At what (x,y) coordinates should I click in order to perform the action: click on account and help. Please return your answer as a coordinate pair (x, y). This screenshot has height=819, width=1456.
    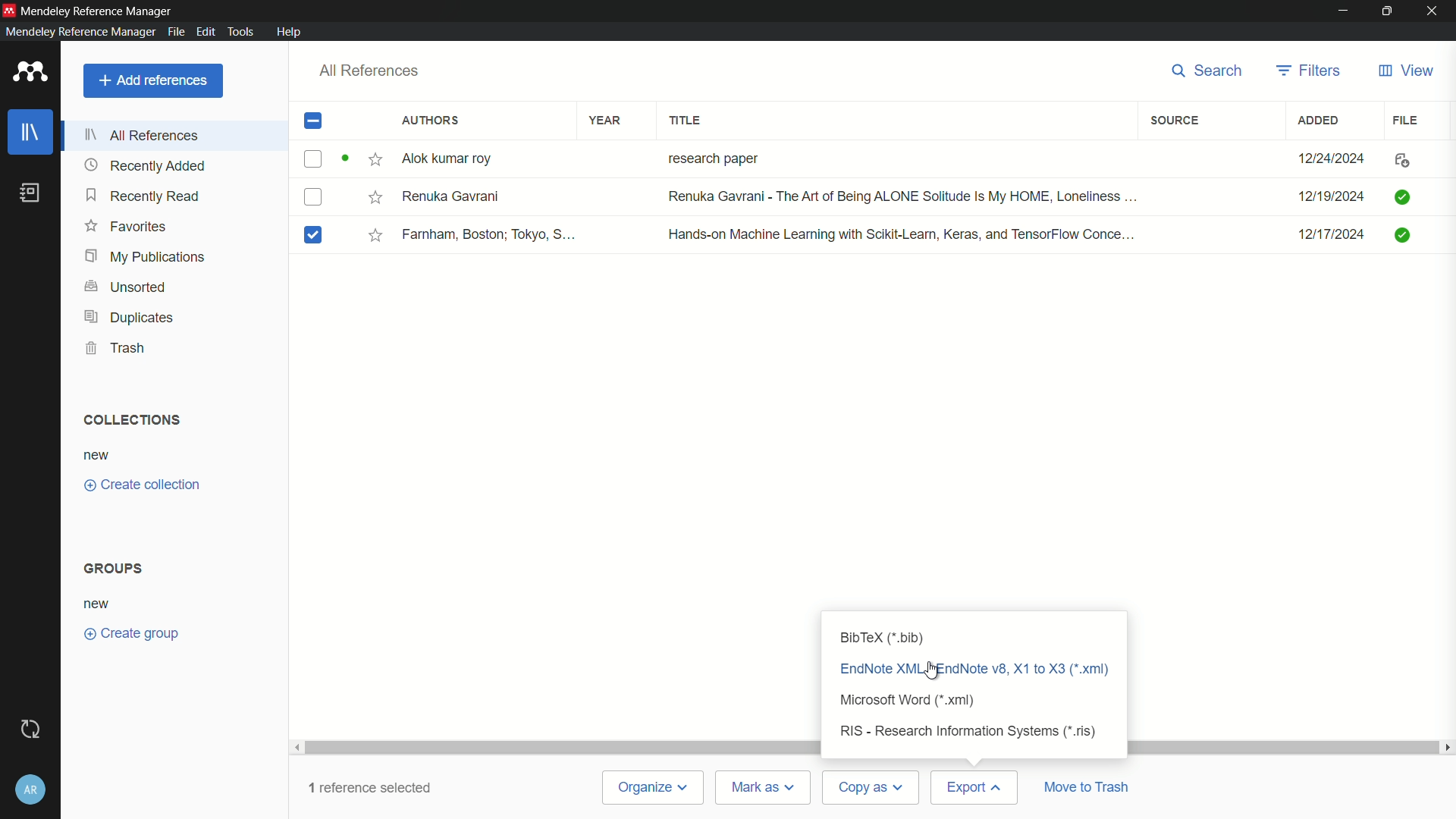
    Looking at the image, I should click on (30, 792).